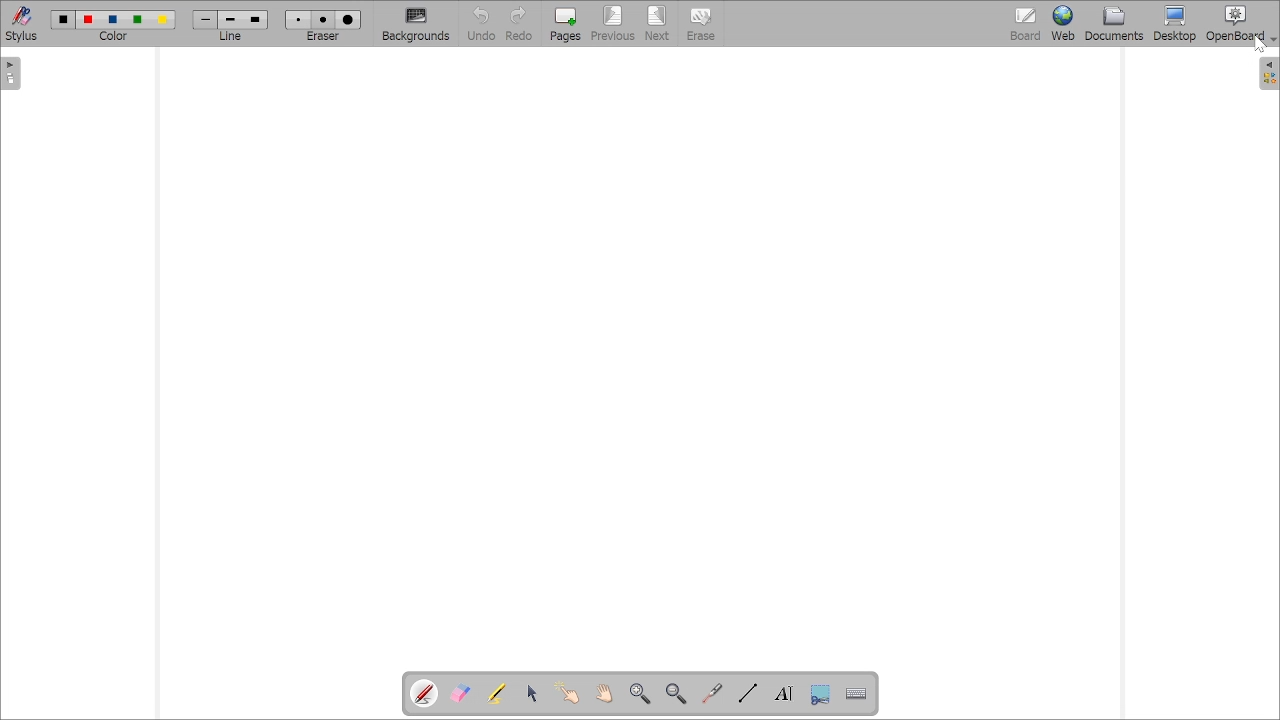 This screenshot has width=1280, height=720. Describe the element at coordinates (299, 19) in the screenshot. I see `Eraser1` at that location.